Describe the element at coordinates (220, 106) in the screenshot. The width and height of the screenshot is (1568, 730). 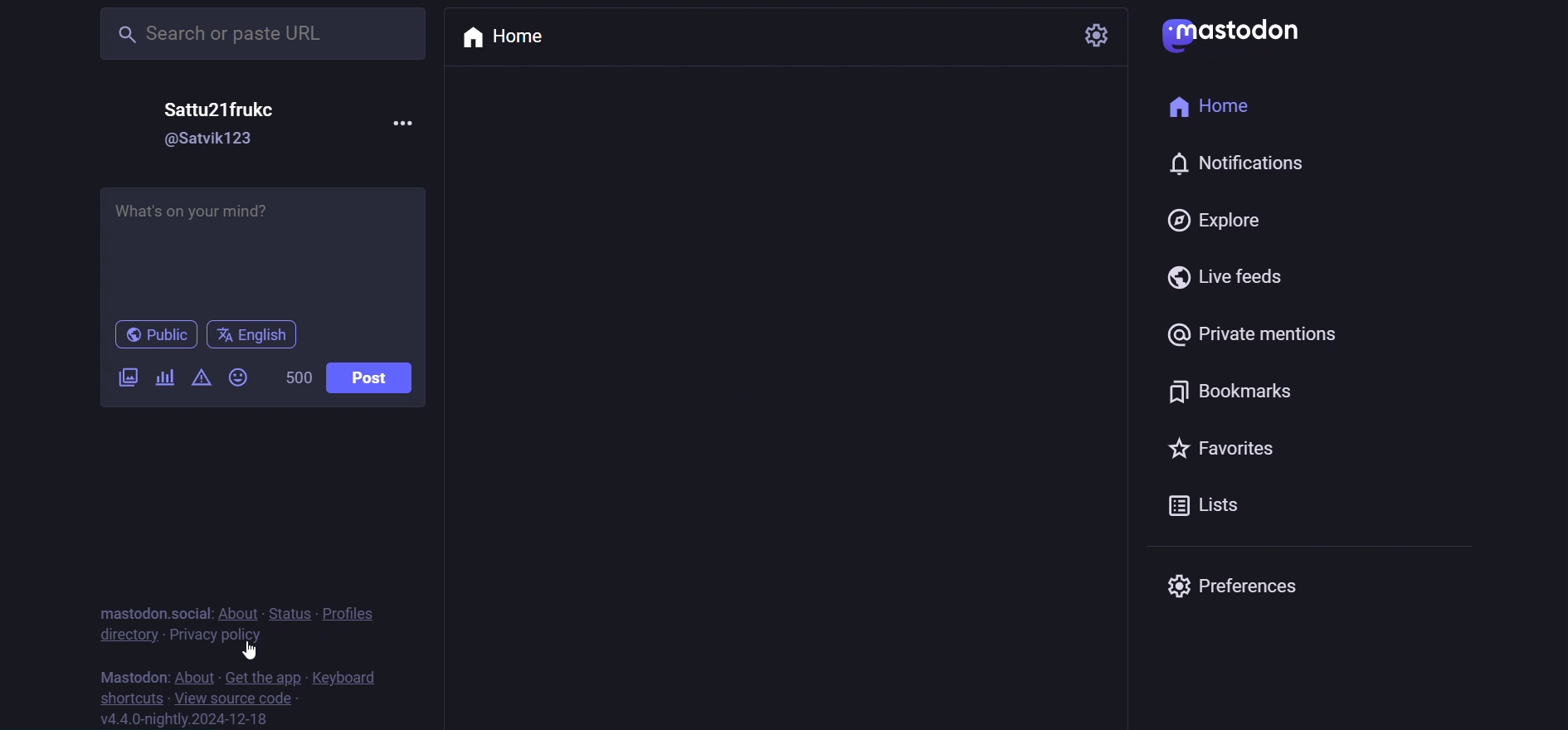
I see `Sattu21frukc` at that location.